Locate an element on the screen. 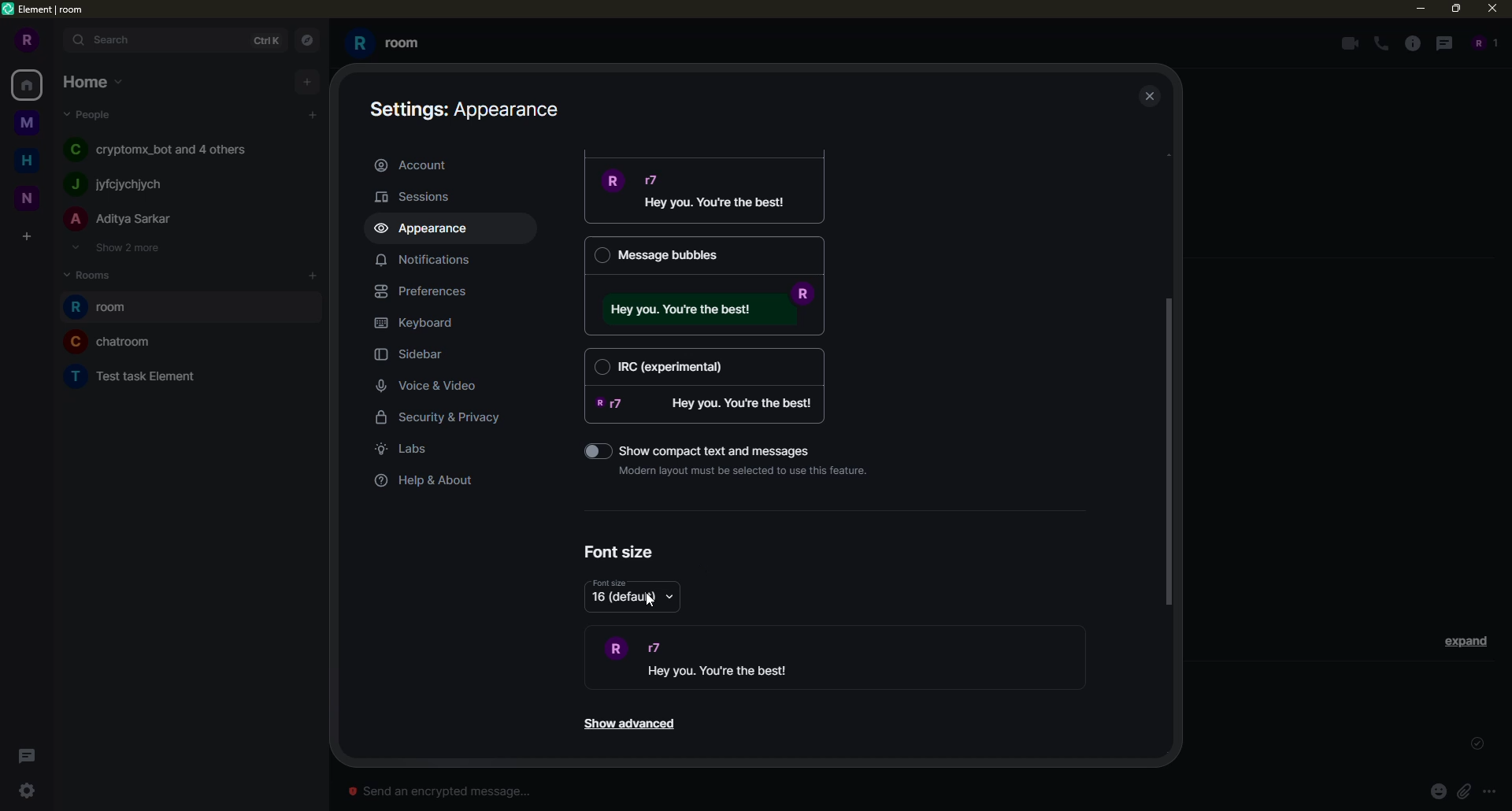 The width and height of the screenshot is (1512, 811). element is located at coordinates (46, 10).